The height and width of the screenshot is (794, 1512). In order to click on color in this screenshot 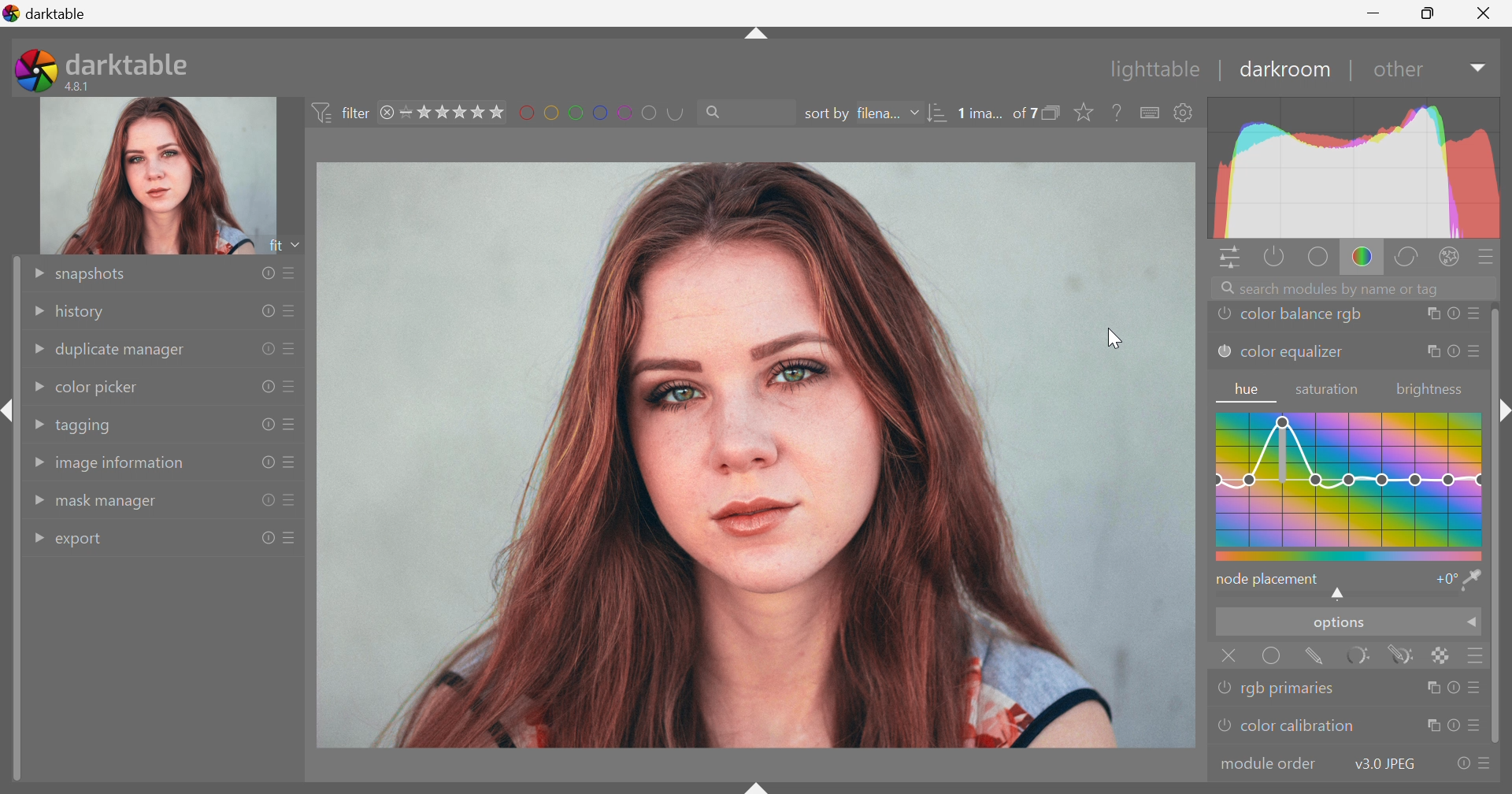, I will do `click(1362, 258)`.